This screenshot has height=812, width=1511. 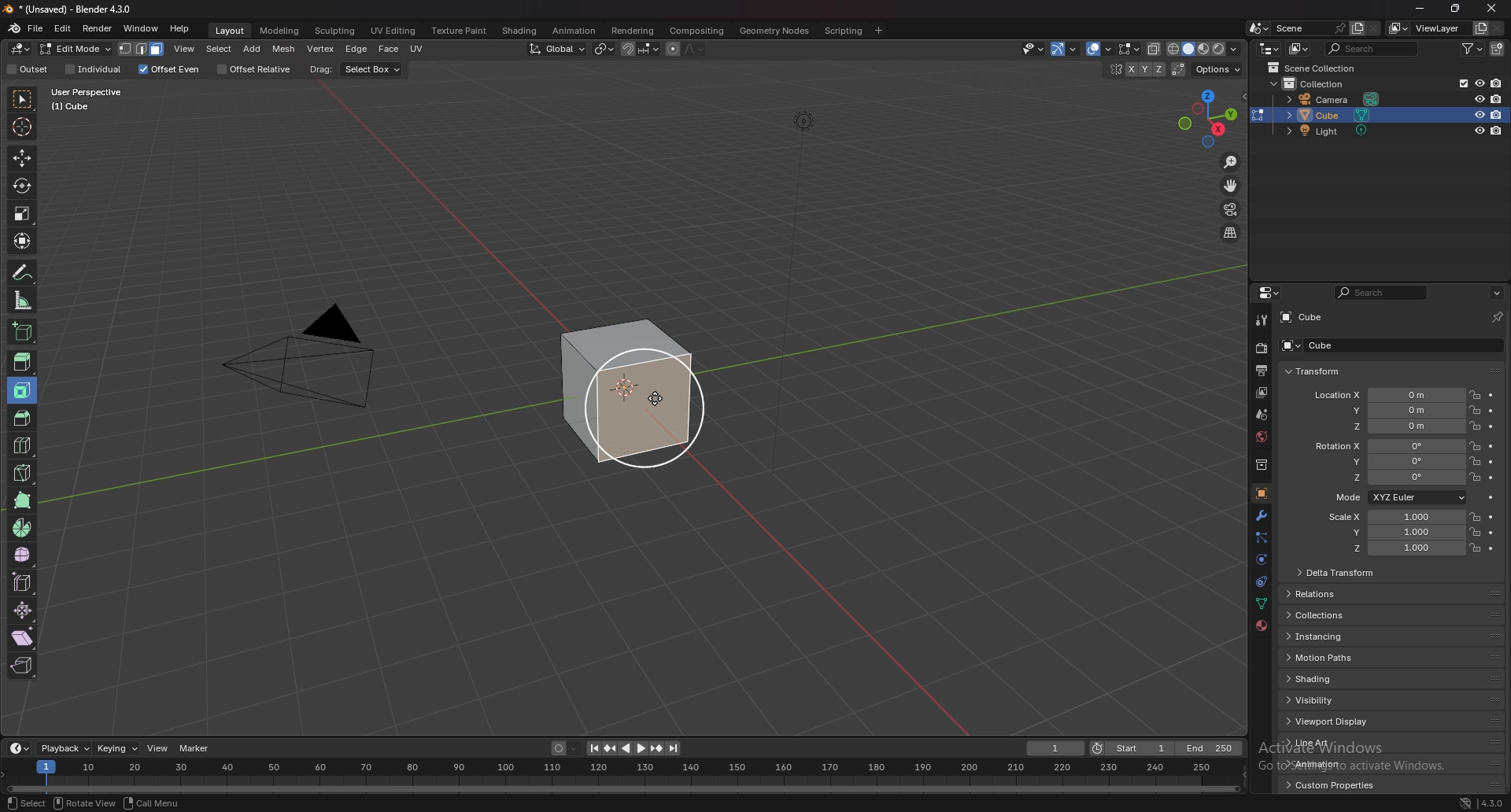 I want to click on remove view layer, so click(x=1498, y=29).